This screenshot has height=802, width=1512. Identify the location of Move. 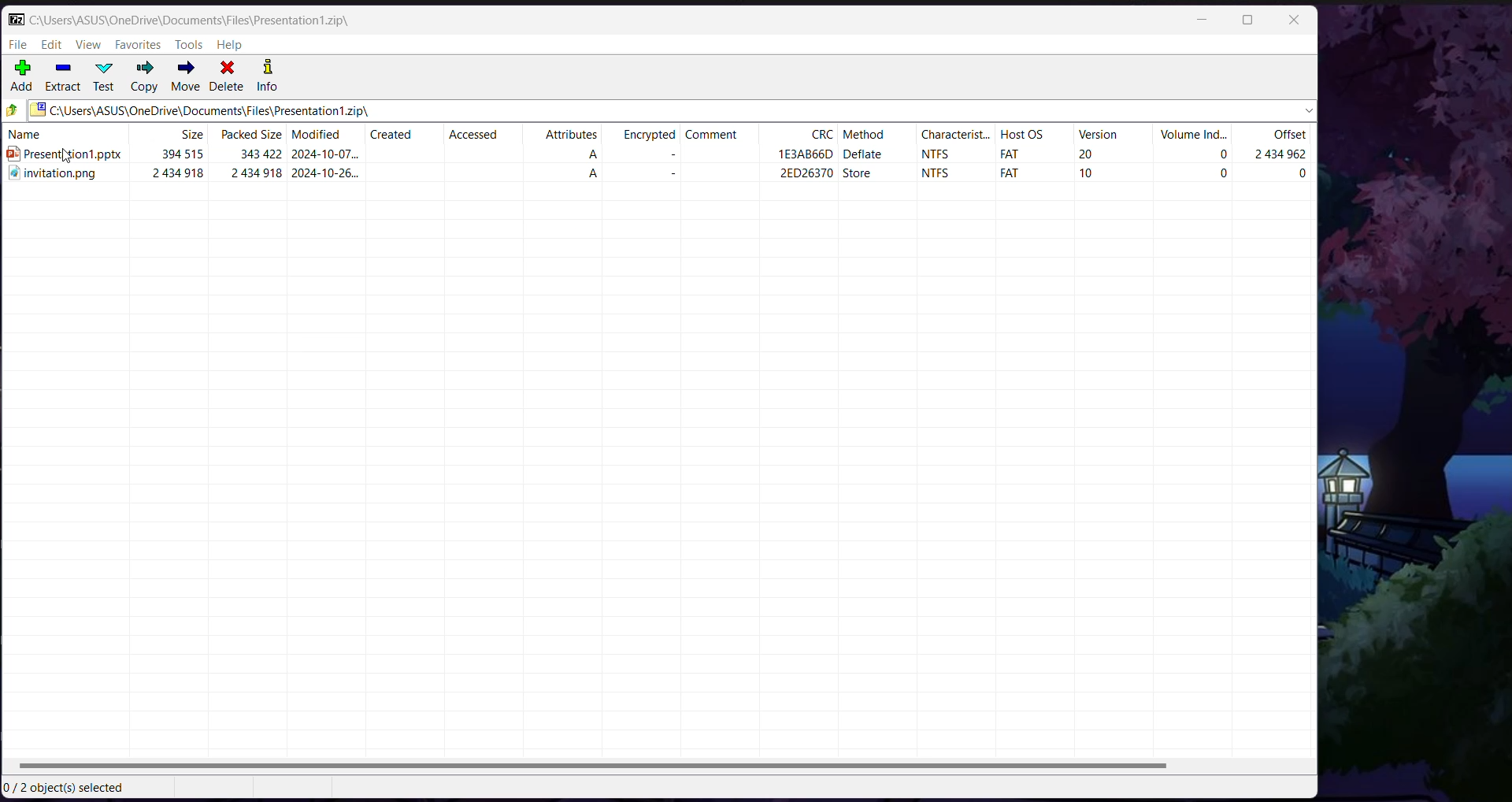
(186, 76).